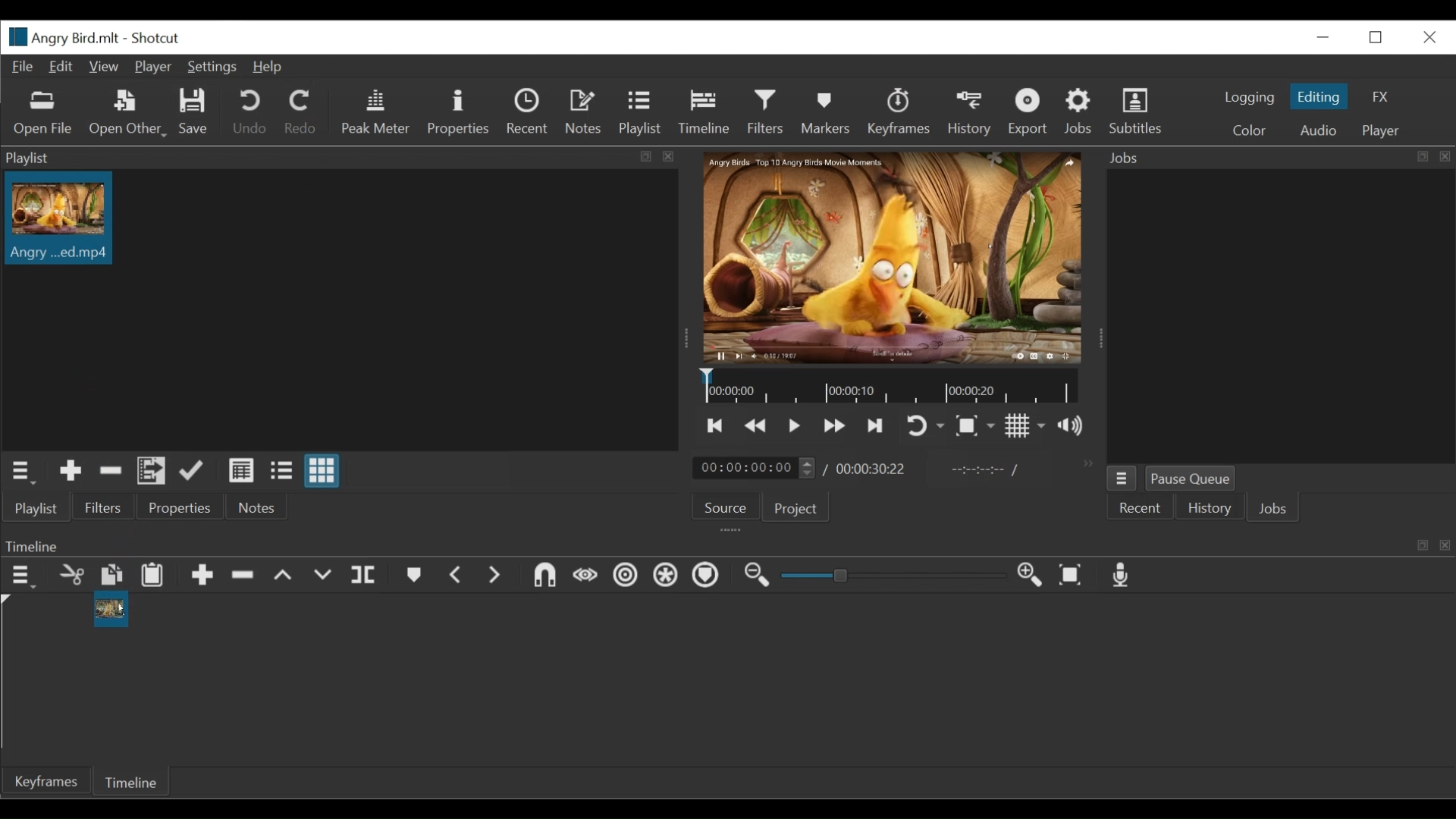 This screenshot has width=1456, height=819. I want to click on Audio, so click(1318, 131).